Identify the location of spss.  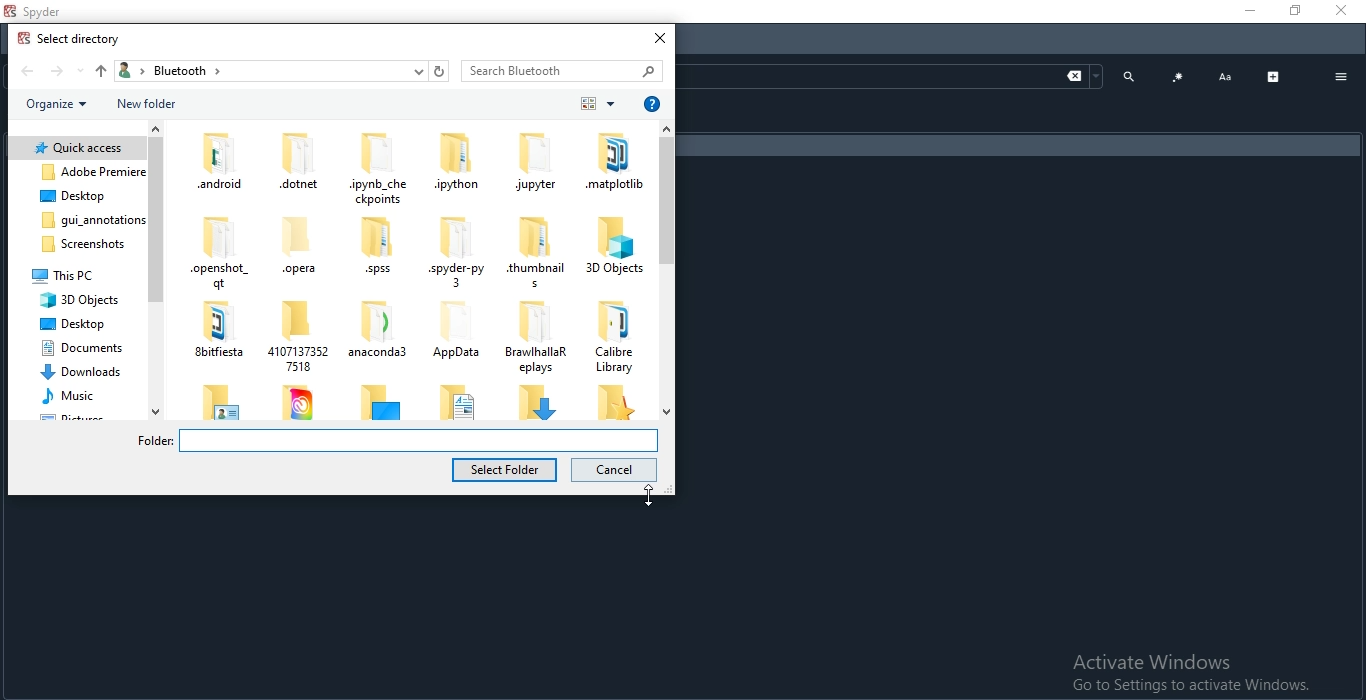
(377, 250).